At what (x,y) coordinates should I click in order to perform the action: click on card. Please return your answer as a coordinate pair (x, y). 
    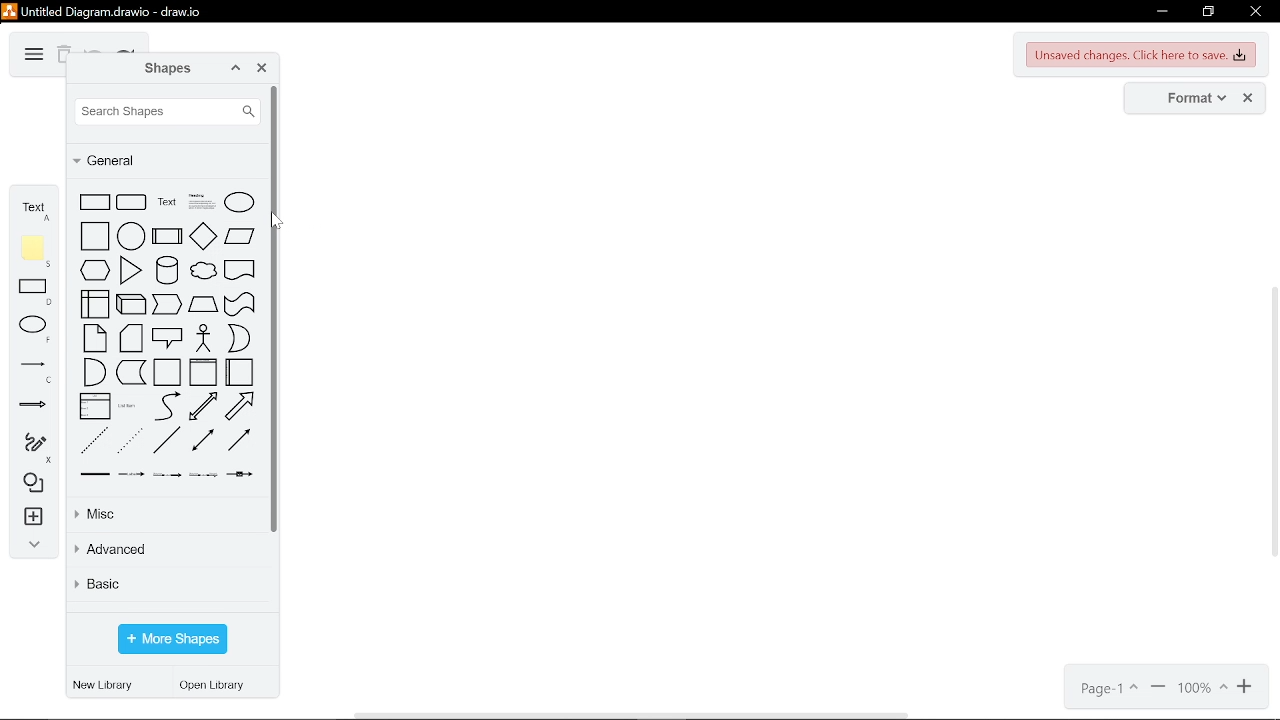
    Looking at the image, I should click on (131, 338).